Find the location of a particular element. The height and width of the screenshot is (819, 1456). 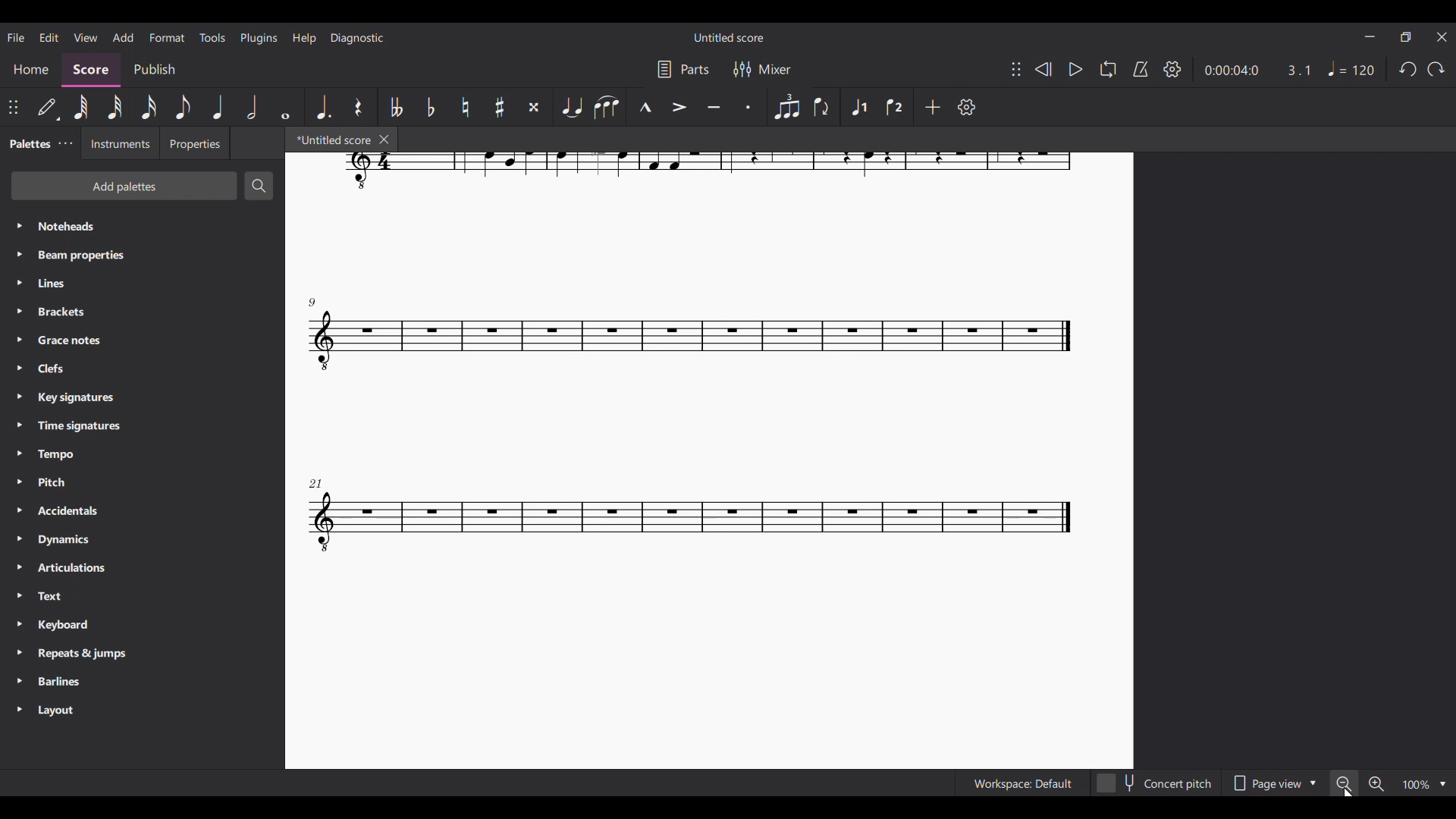

Play is located at coordinates (1076, 69).